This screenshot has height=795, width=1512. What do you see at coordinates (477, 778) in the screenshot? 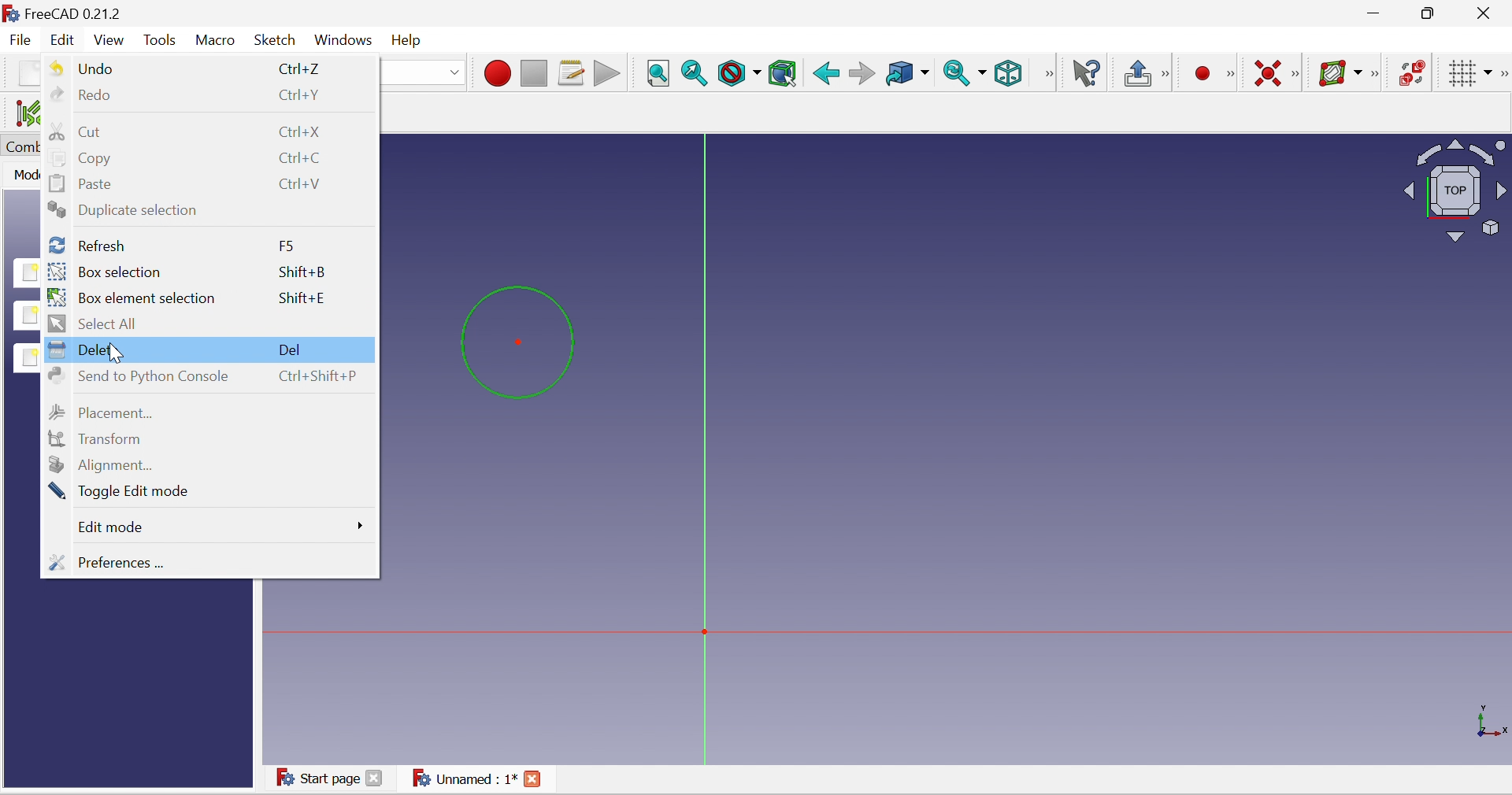
I see `Unnamed : 1*` at bounding box center [477, 778].